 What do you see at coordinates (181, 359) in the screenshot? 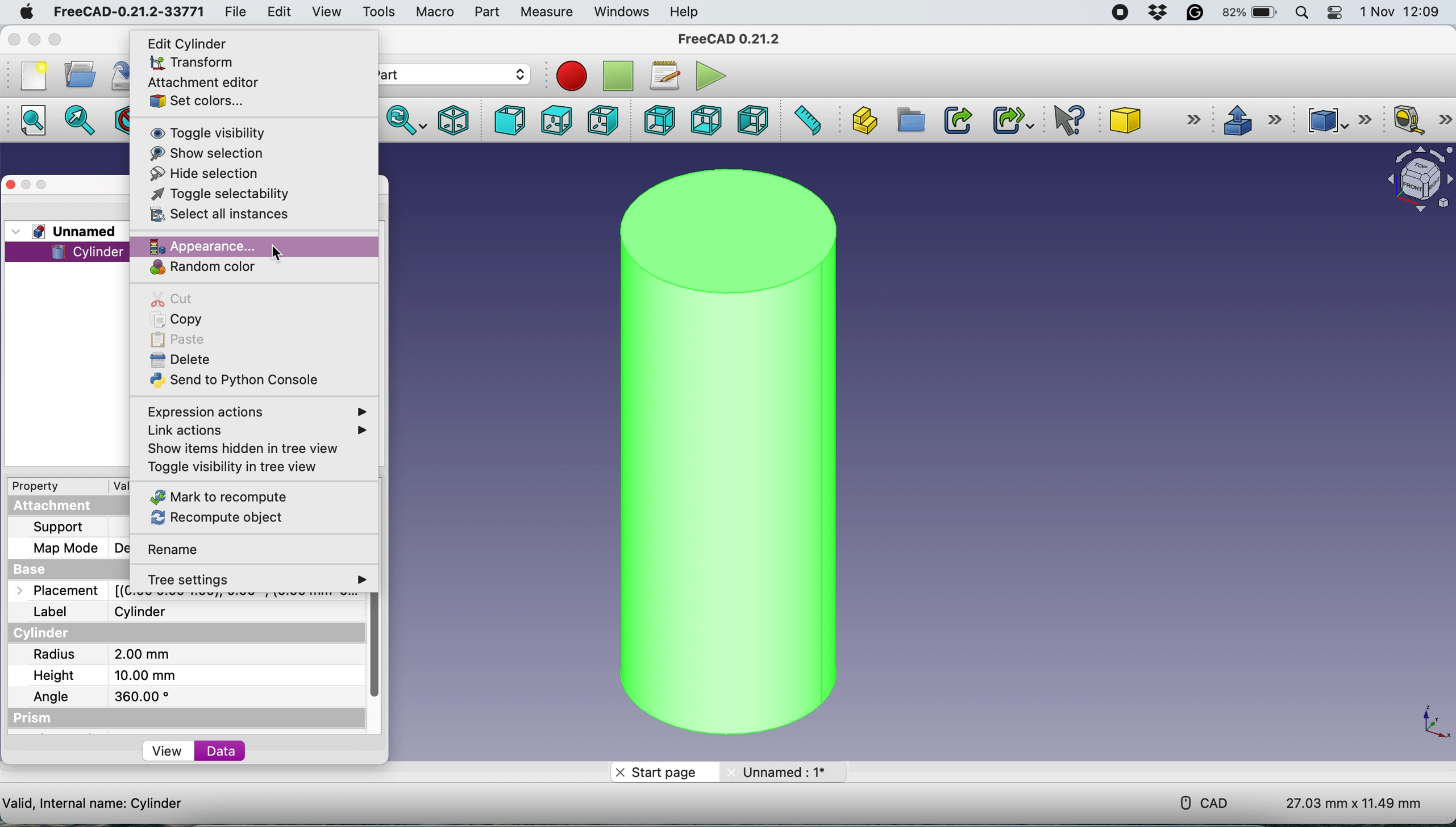
I see `delete` at bounding box center [181, 359].